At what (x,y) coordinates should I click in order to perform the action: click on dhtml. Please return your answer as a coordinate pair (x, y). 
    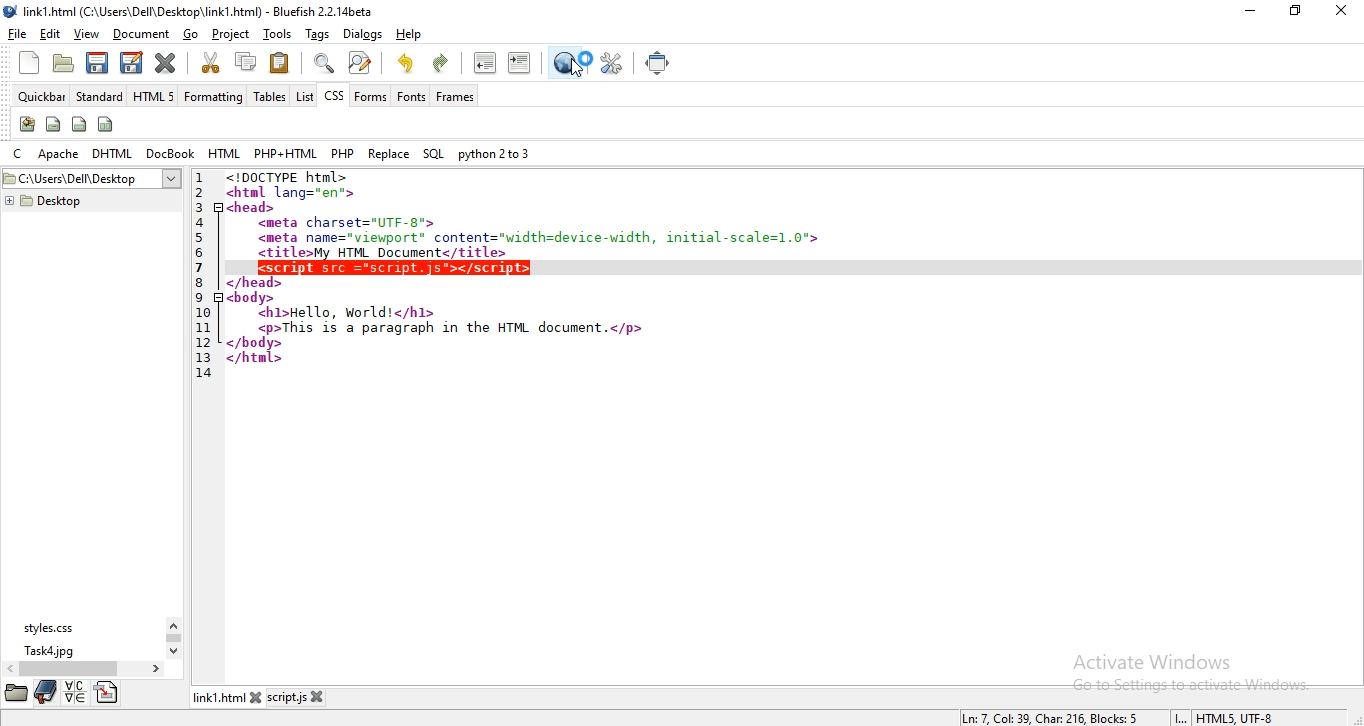
    Looking at the image, I should click on (112, 154).